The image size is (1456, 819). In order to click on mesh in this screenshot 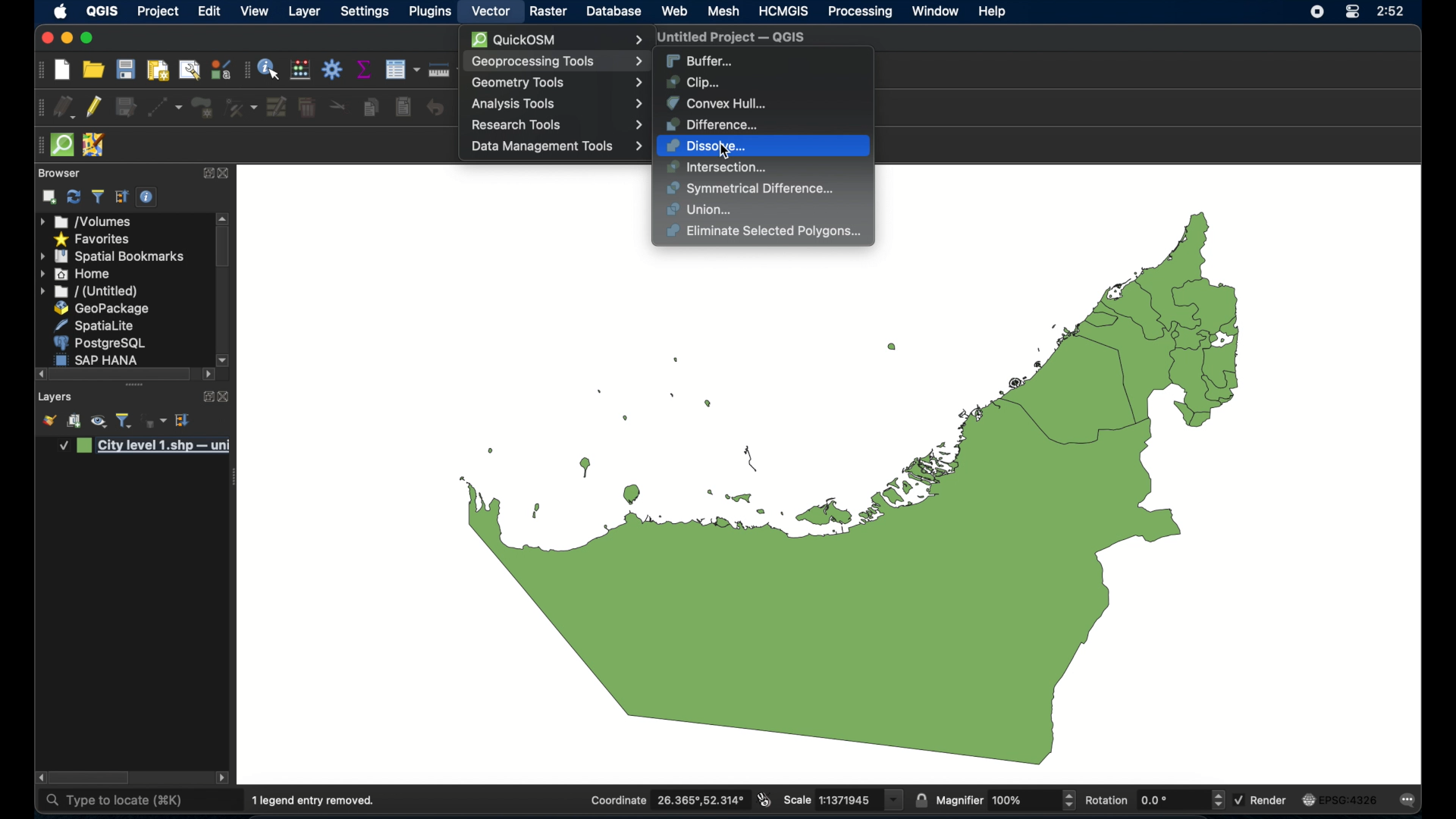, I will do `click(723, 12)`.